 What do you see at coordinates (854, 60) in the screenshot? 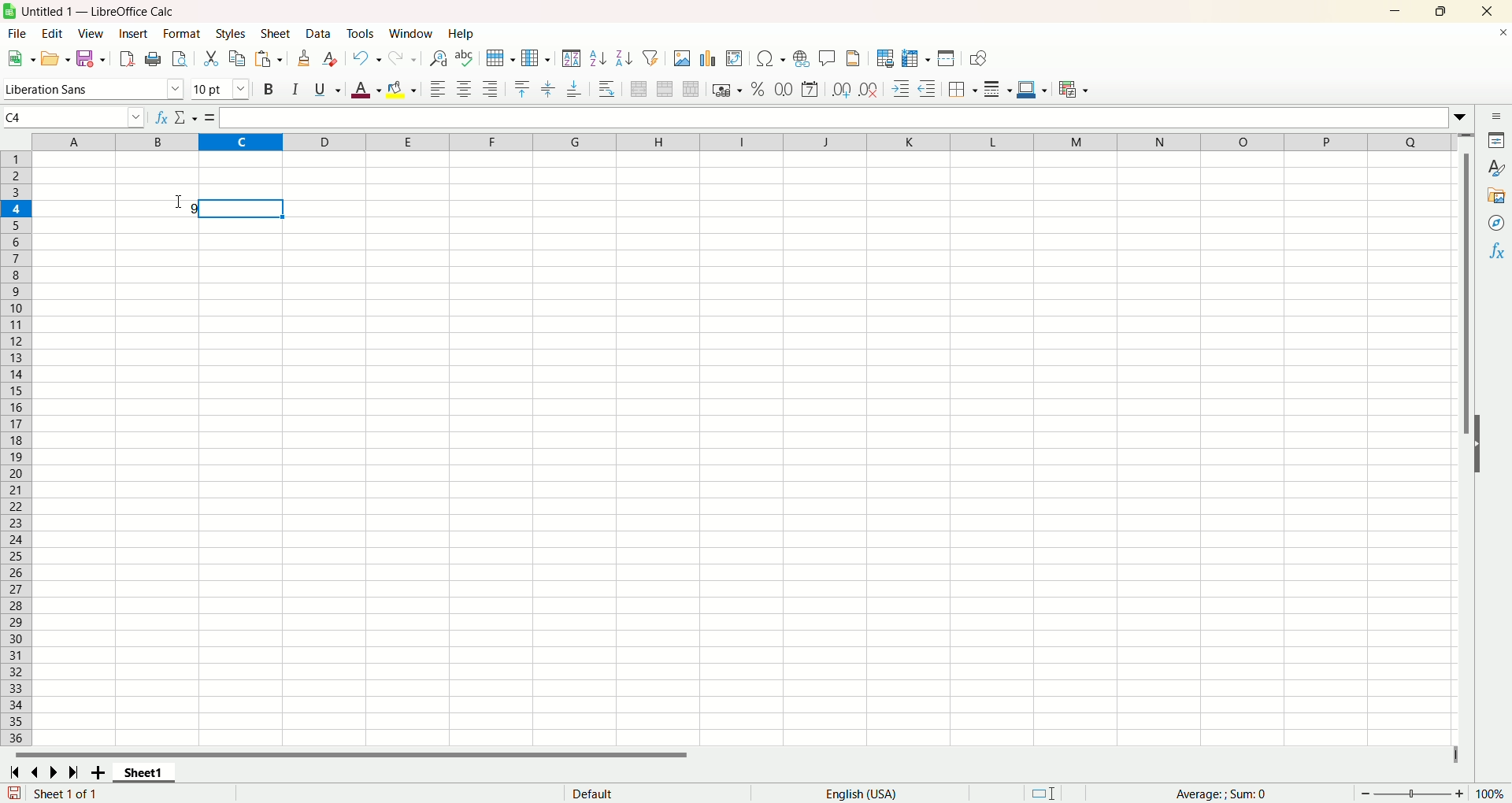
I see `header and footer` at bounding box center [854, 60].